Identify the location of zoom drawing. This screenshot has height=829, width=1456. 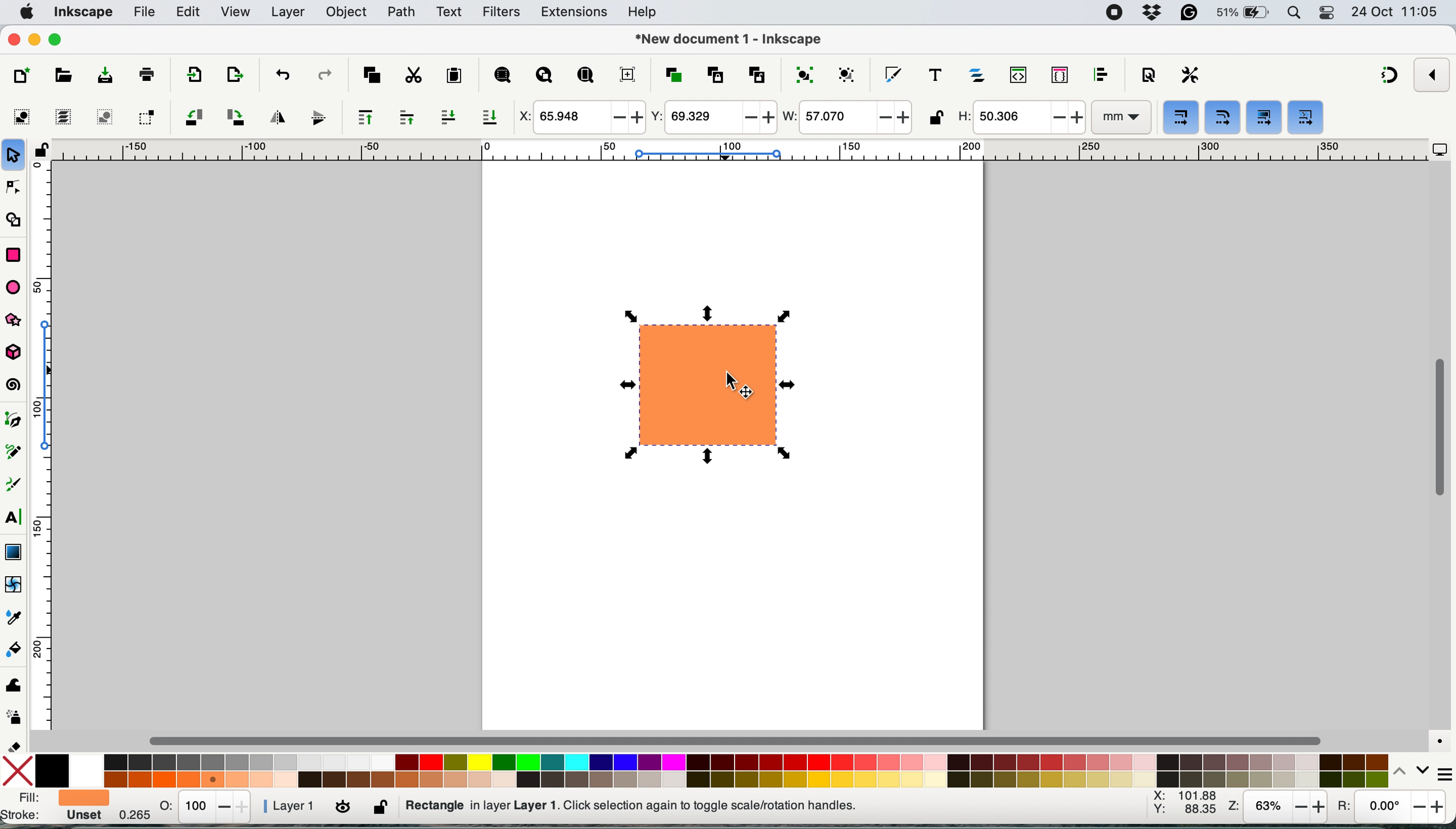
(544, 77).